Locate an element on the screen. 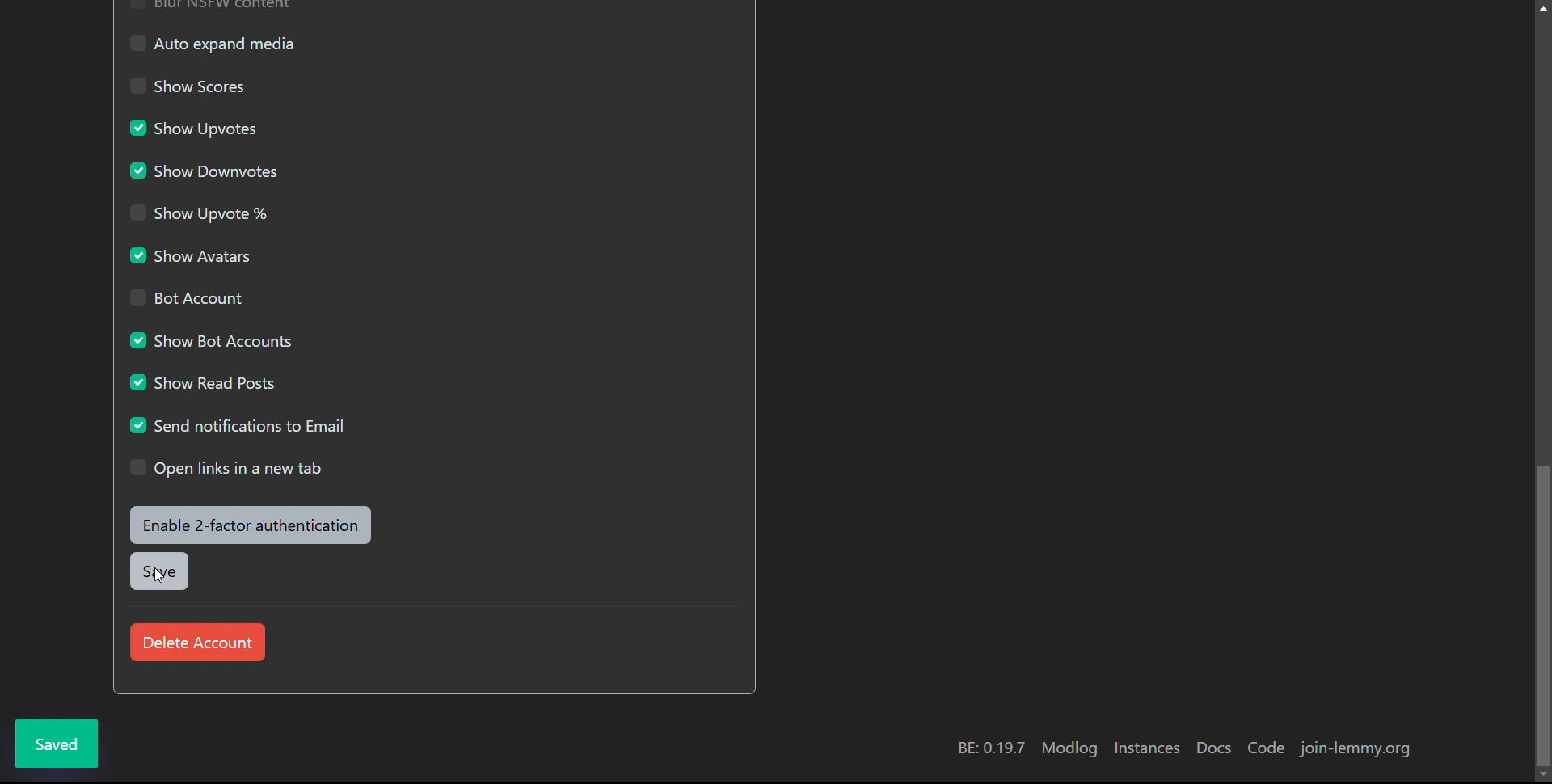 The width and height of the screenshot is (1552, 784). show avatars is located at coordinates (192, 255).